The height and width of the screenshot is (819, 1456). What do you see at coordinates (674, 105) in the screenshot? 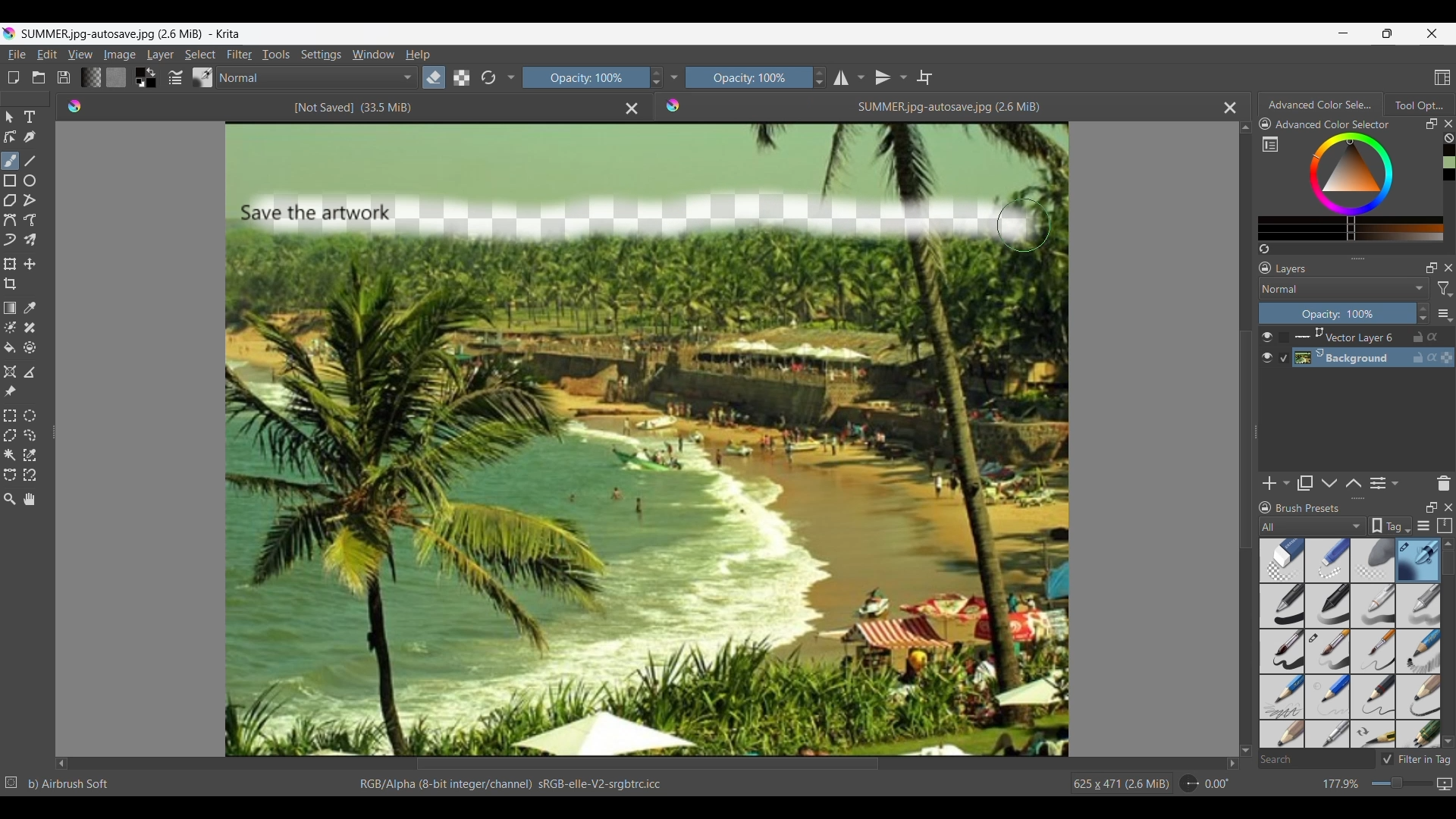
I see `Logo` at bounding box center [674, 105].